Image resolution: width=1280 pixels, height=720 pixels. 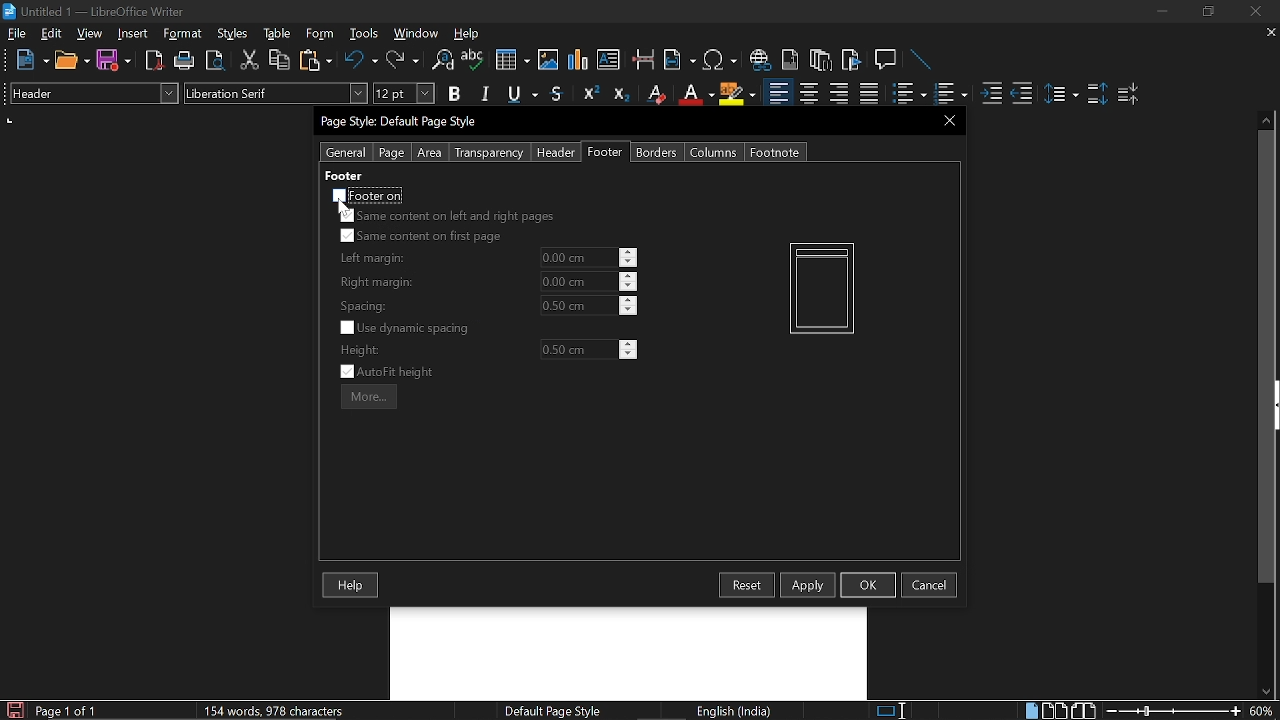 I want to click on units, so click(x=11, y=121).